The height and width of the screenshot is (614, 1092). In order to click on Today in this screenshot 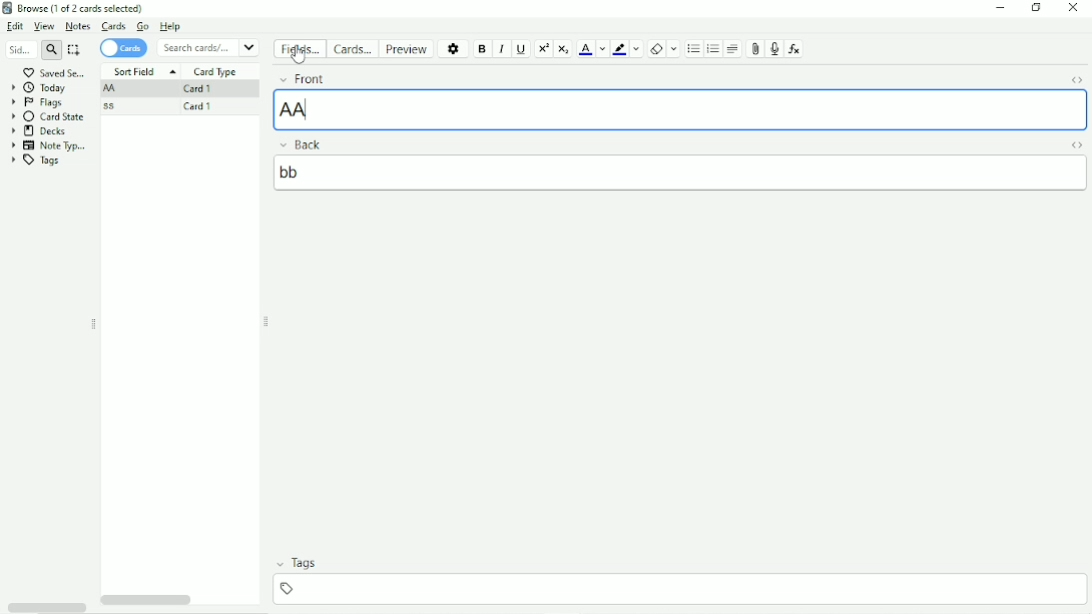, I will do `click(39, 88)`.